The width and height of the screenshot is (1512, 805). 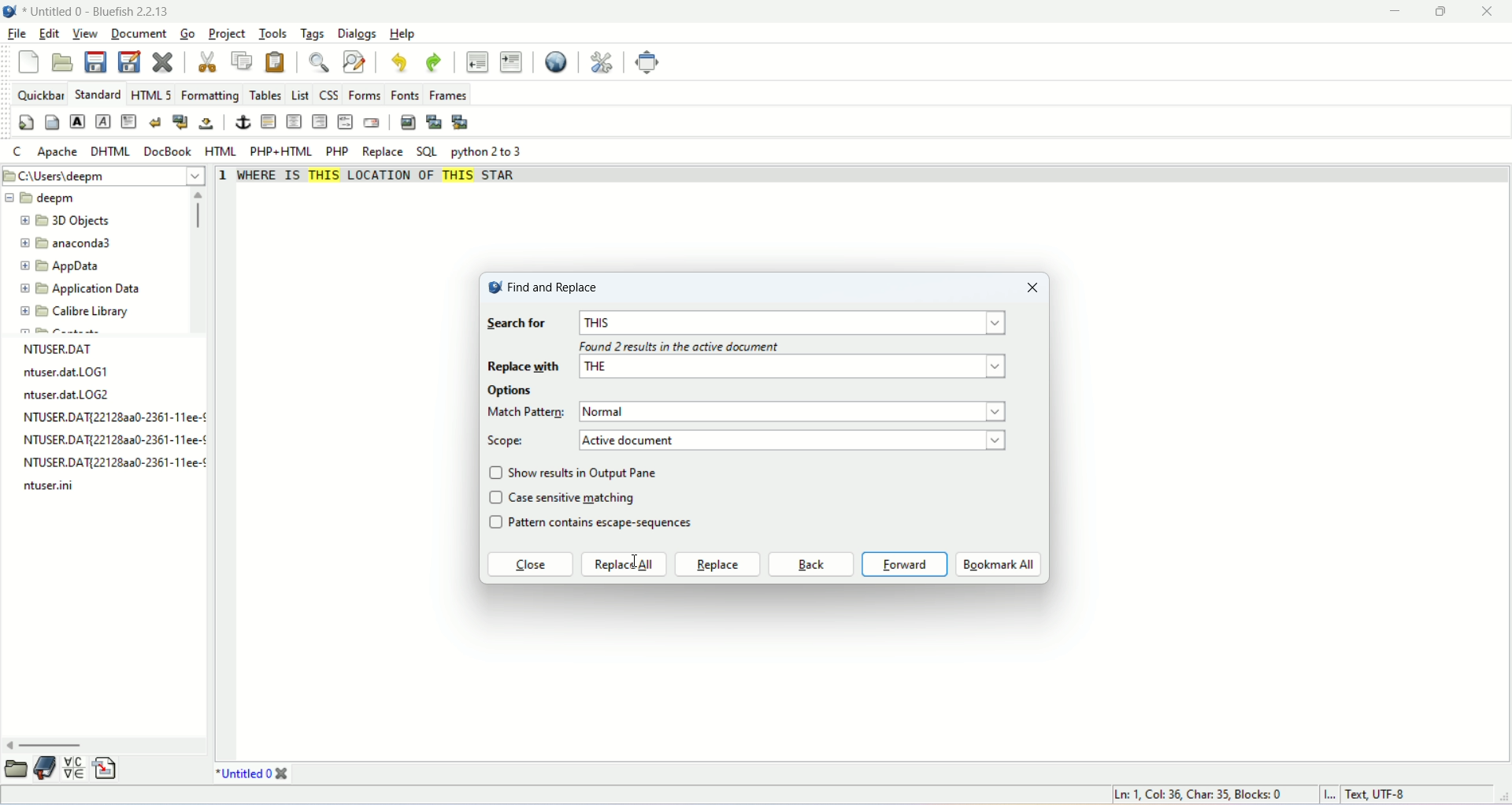 I want to click on standard, so click(x=96, y=94).